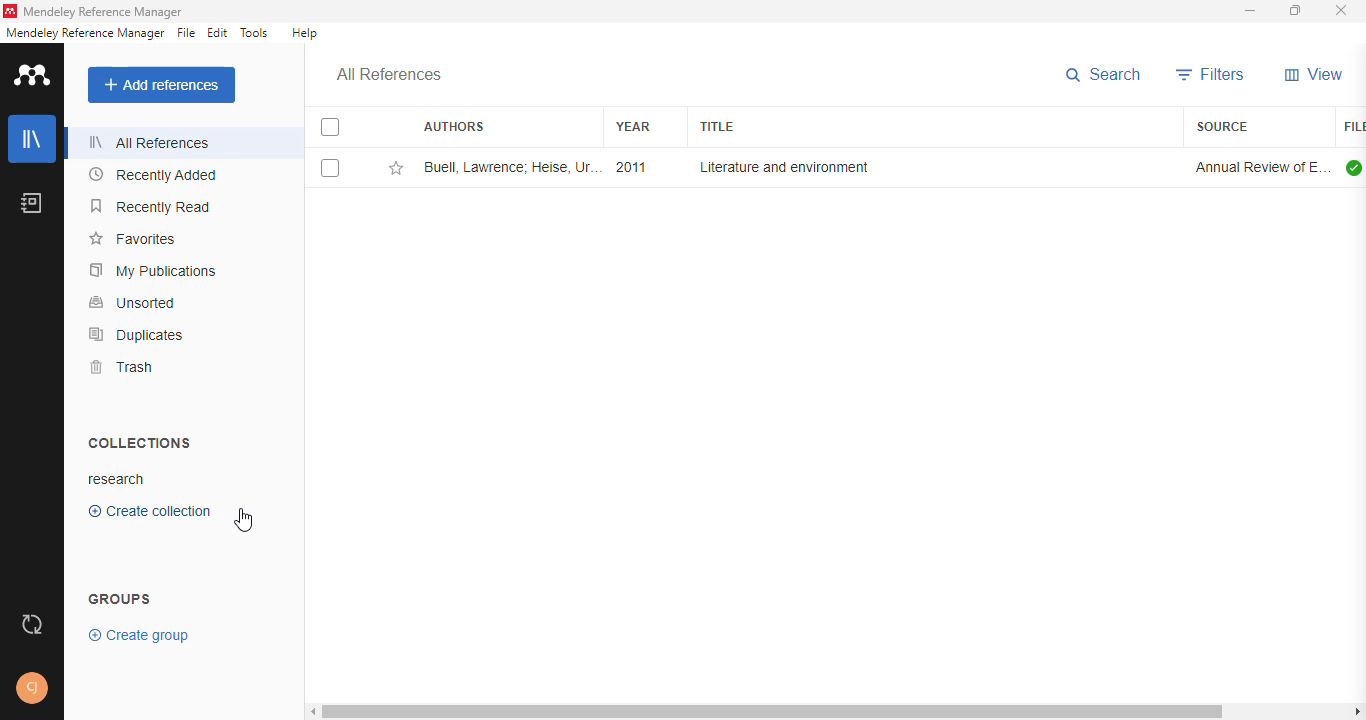  What do you see at coordinates (104, 12) in the screenshot?
I see `mendeley reference manager` at bounding box center [104, 12].